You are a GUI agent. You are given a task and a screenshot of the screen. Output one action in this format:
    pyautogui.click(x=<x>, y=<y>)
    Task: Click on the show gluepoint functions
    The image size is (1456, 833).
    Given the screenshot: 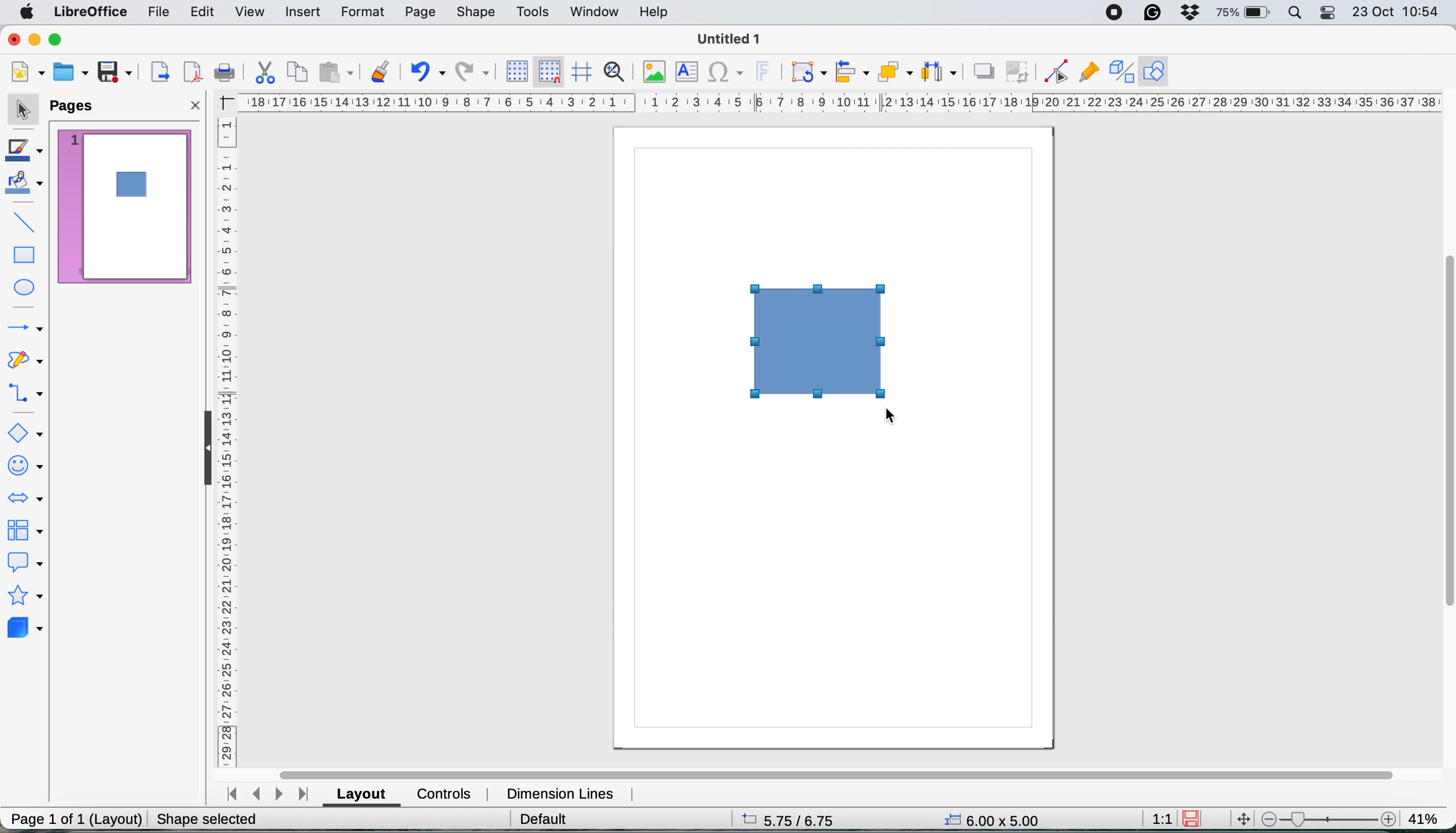 What is the action you would take?
    pyautogui.click(x=1086, y=71)
    